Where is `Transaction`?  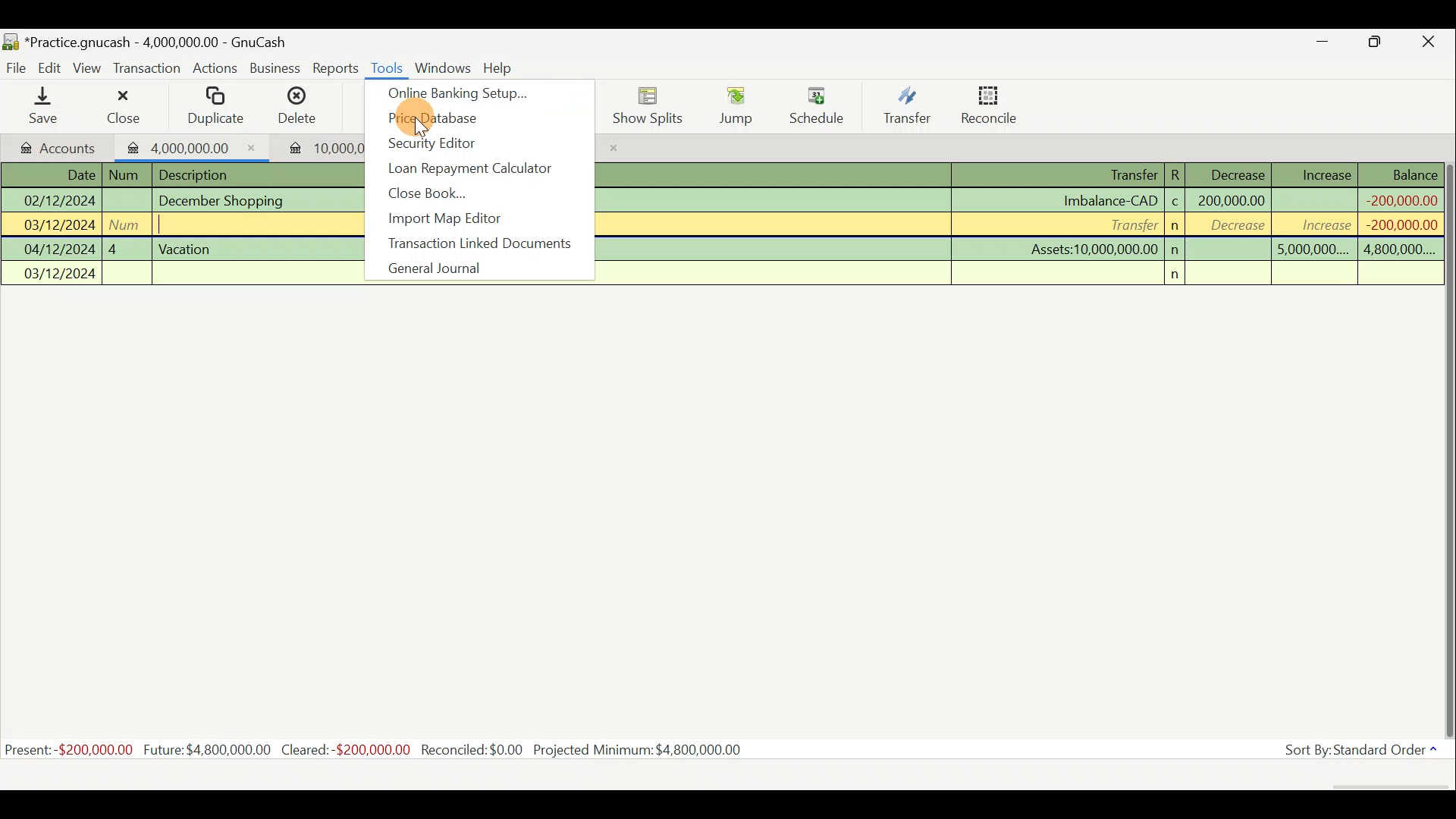
Transaction is located at coordinates (151, 70).